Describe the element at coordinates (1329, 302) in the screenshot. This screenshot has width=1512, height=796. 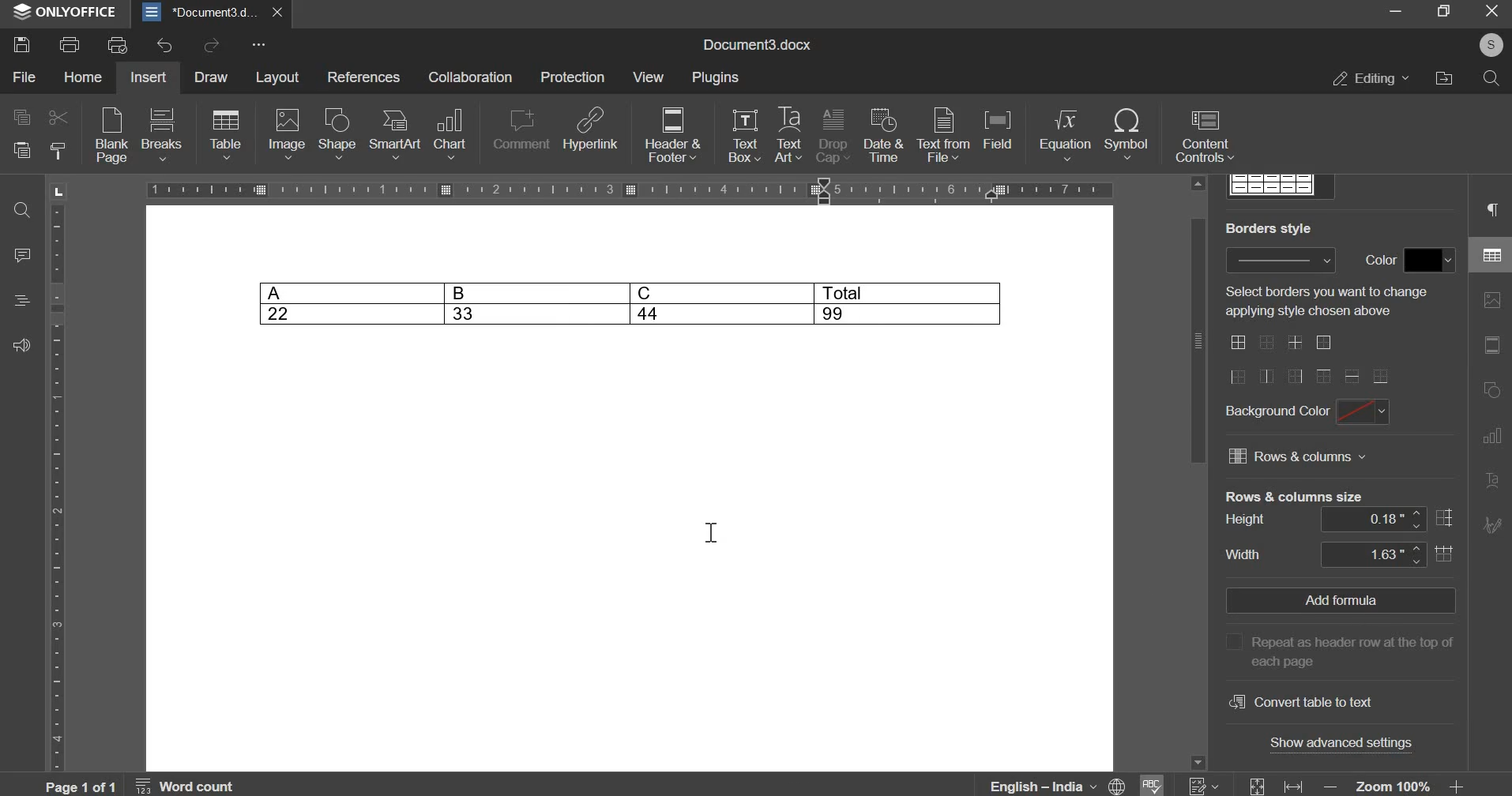
I see `Select borders you want to change
applying style chosen above` at that location.